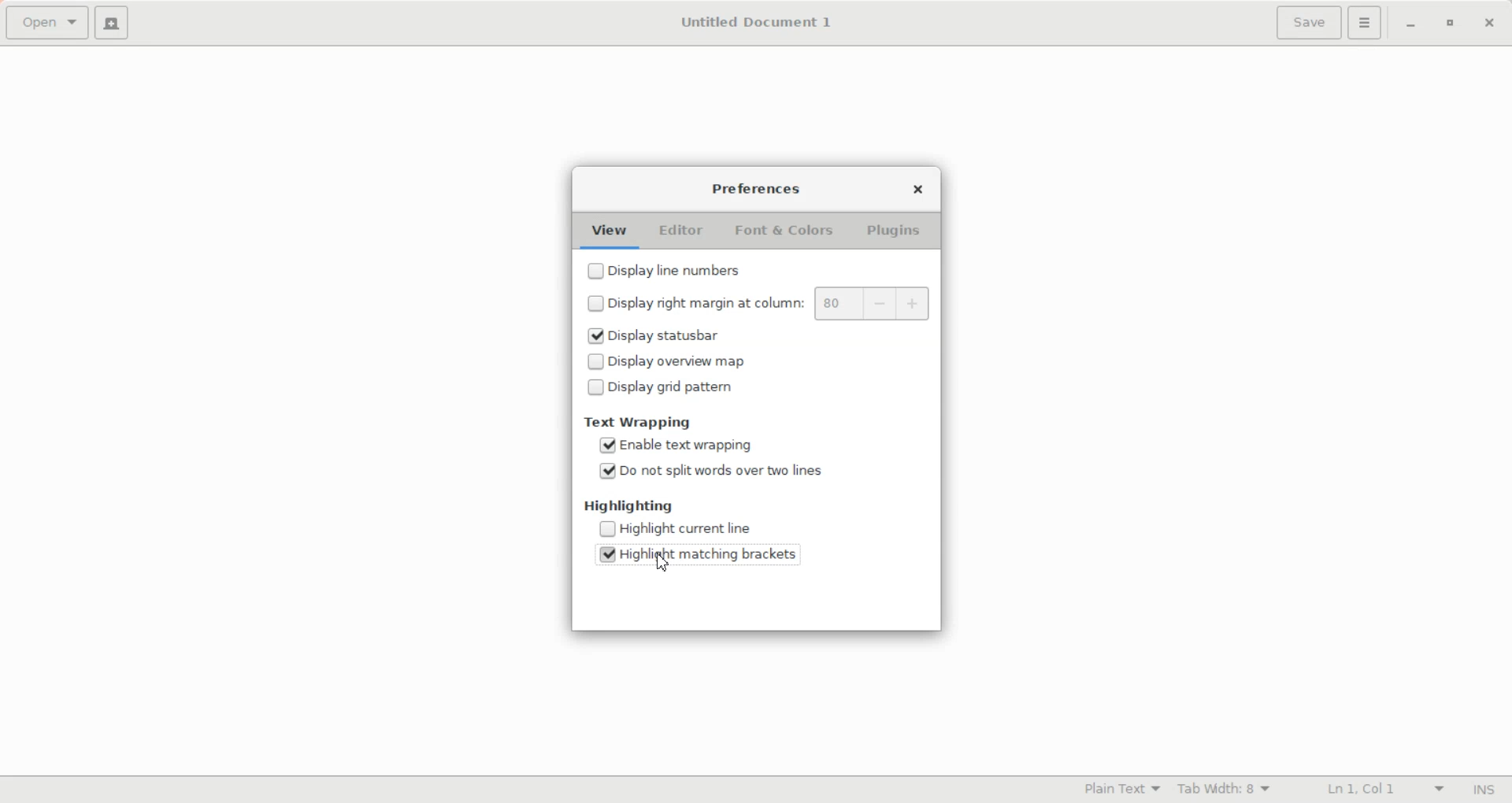 The height and width of the screenshot is (803, 1512). I want to click on Create a new document, so click(111, 22).